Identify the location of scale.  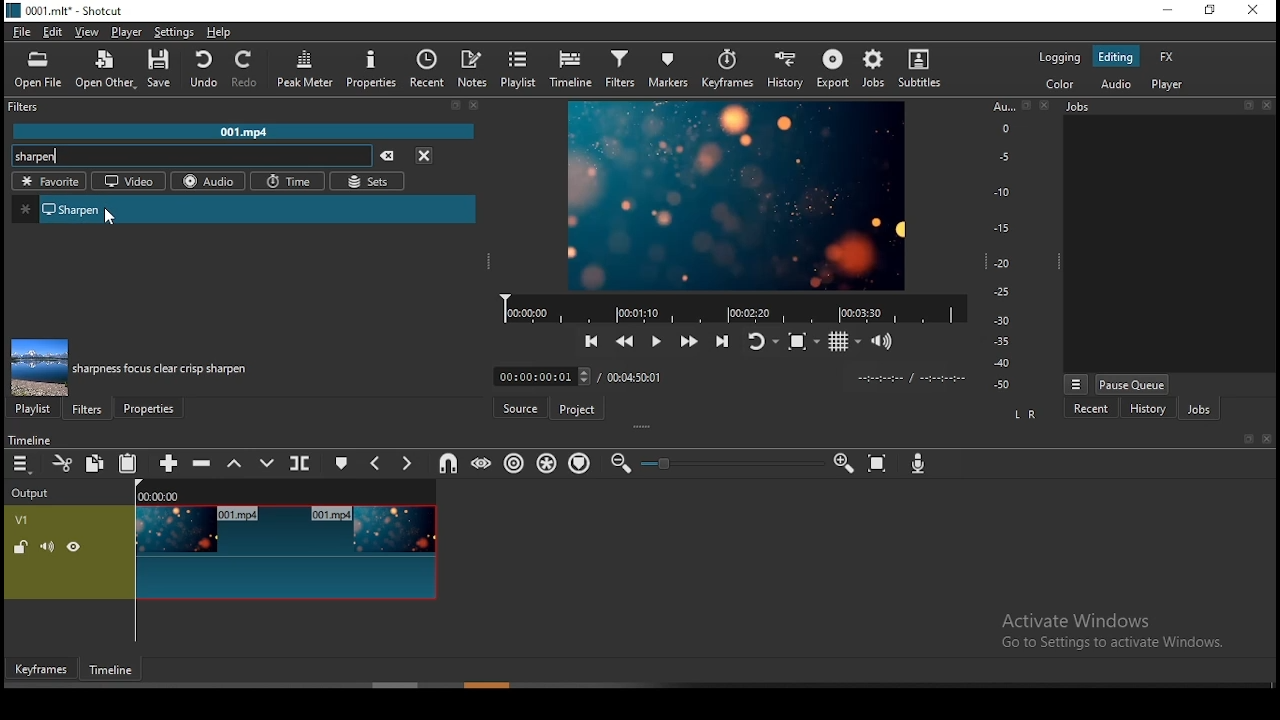
(1007, 247).